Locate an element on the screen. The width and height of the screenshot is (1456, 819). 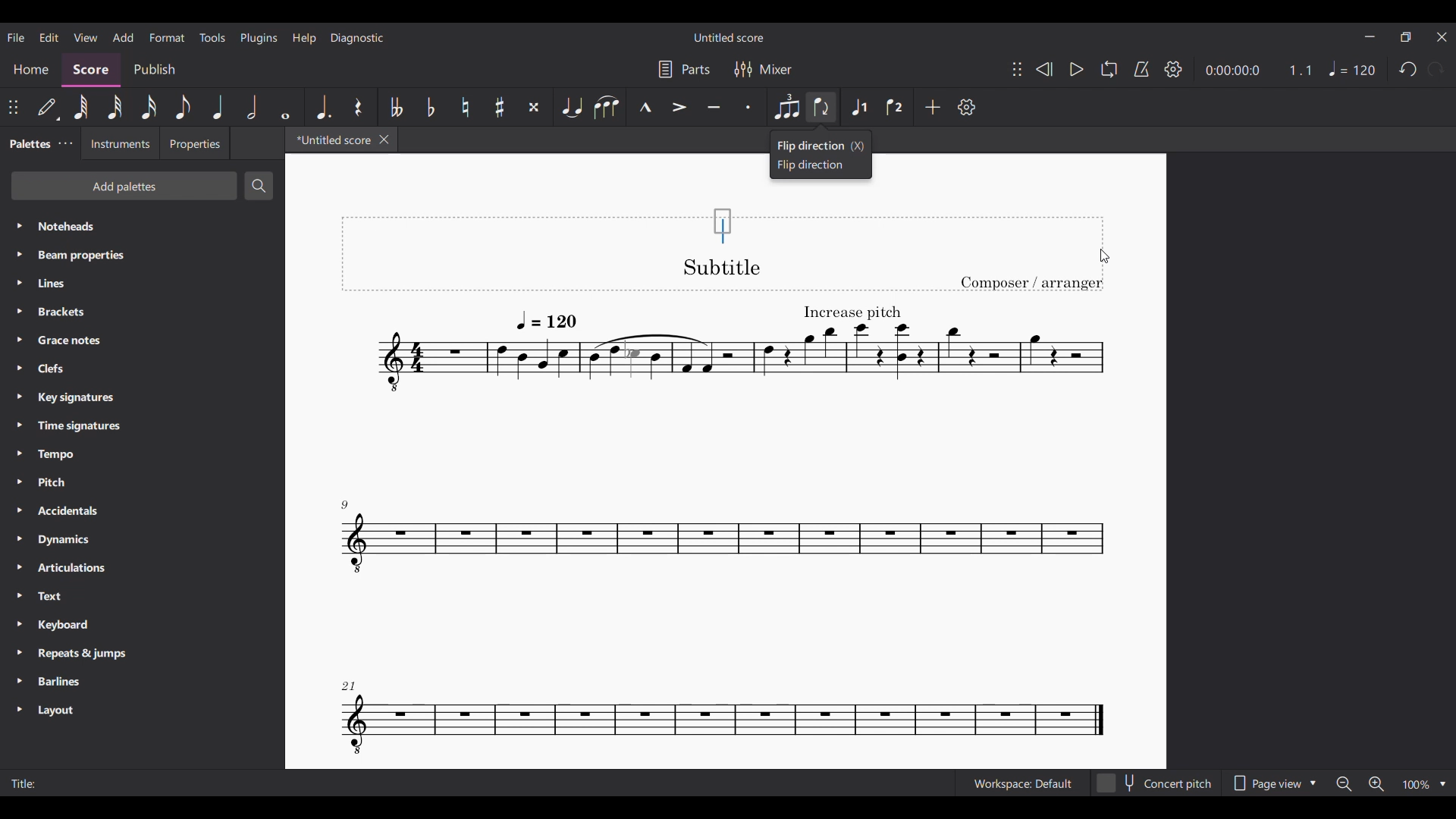
Close tab is located at coordinates (384, 139).